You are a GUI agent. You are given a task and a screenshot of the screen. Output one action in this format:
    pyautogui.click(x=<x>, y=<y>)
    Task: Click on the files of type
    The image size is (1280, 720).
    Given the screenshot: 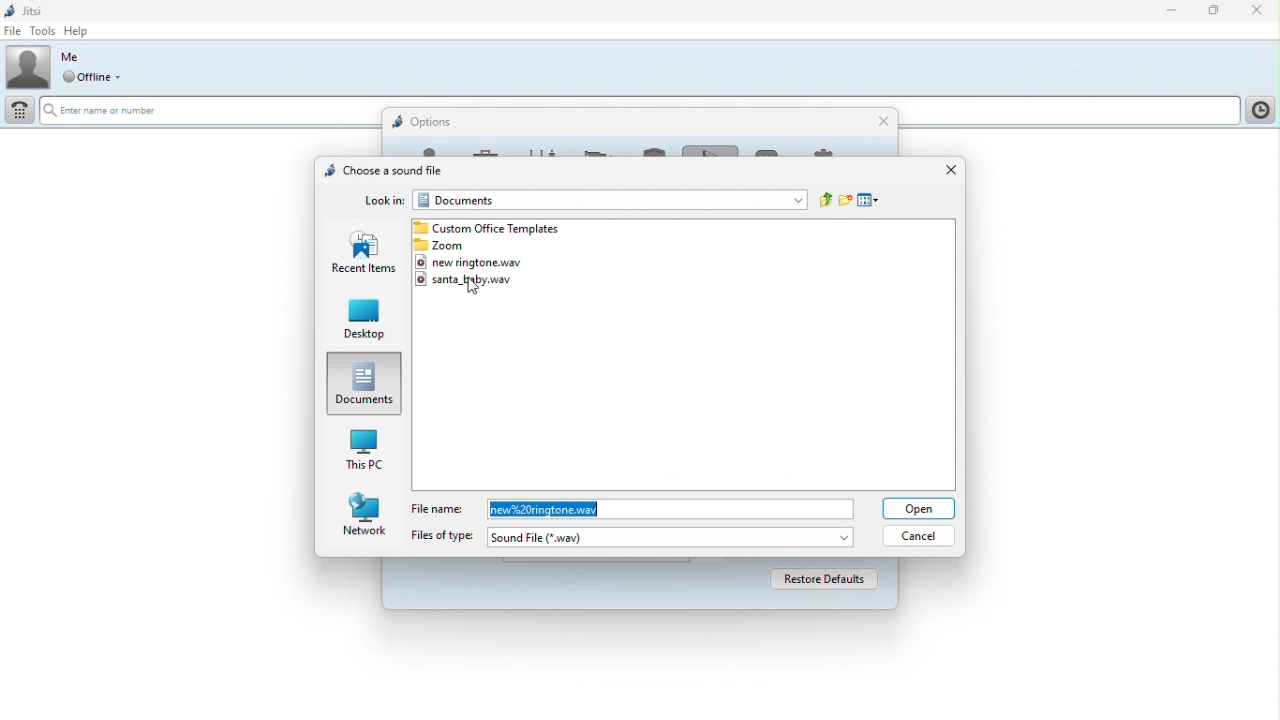 What is the action you would take?
    pyautogui.click(x=438, y=535)
    